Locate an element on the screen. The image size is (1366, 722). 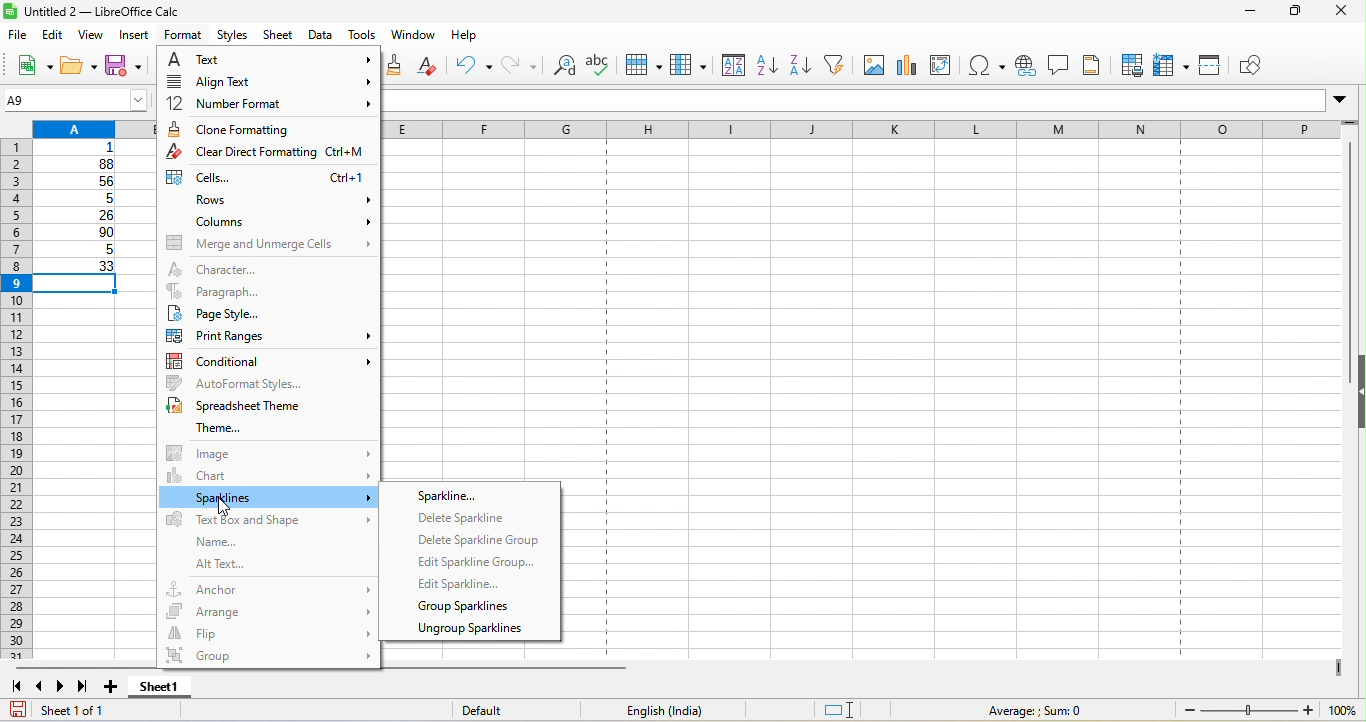
columns is located at coordinates (271, 222).